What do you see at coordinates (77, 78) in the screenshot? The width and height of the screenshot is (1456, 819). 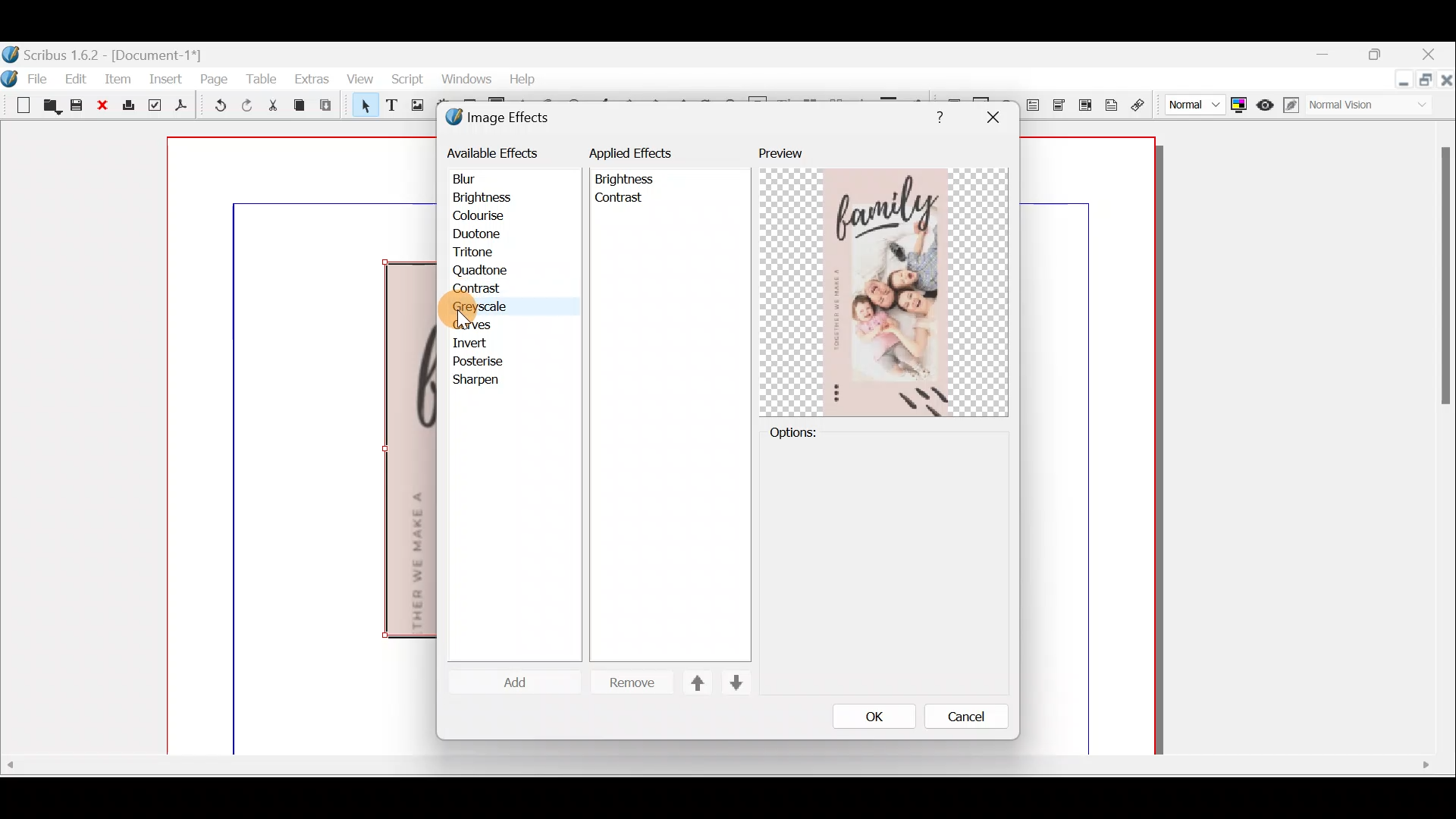 I see `Edit` at bounding box center [77, 78].